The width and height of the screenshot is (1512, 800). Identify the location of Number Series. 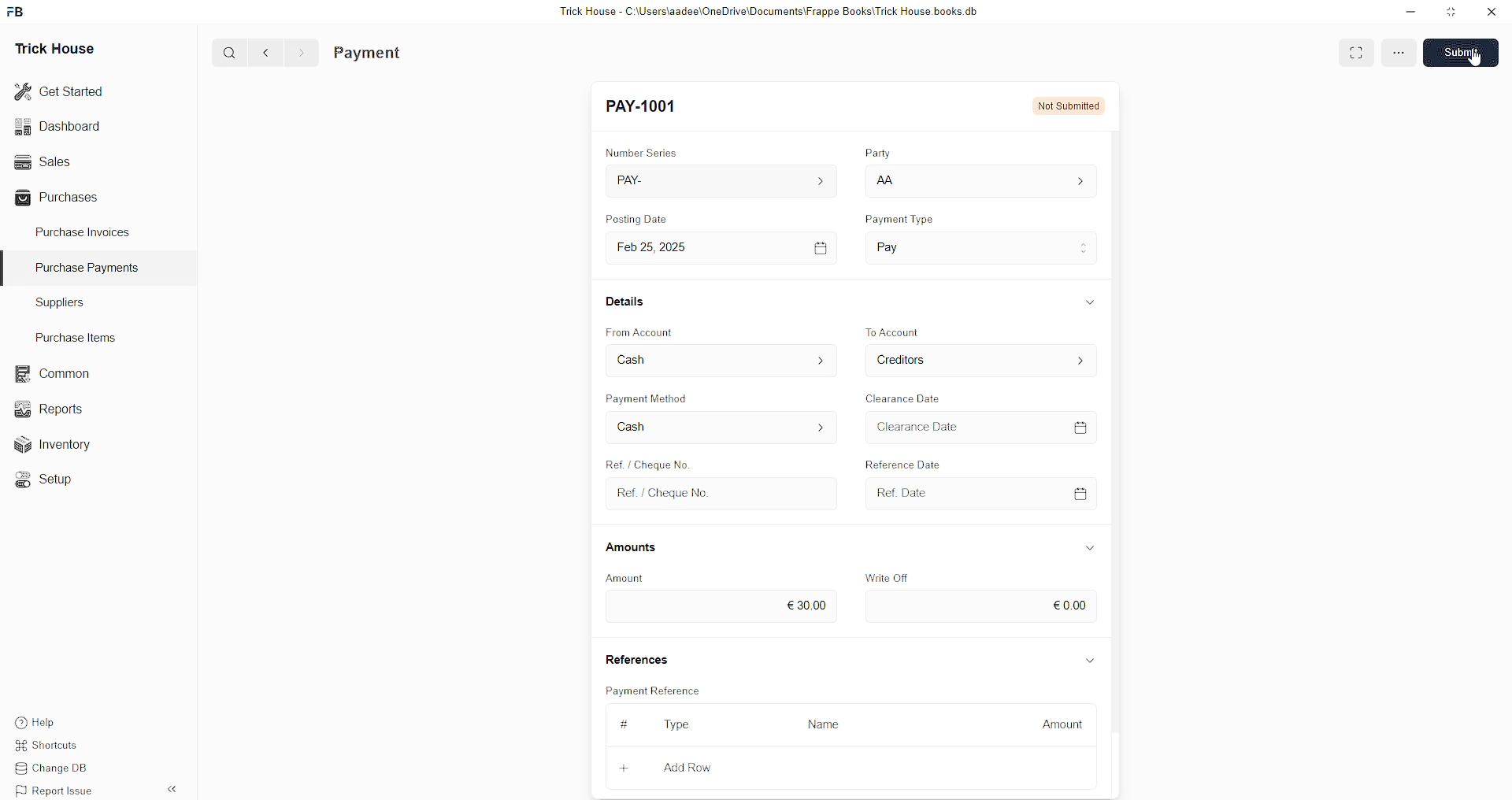
(652, 152).